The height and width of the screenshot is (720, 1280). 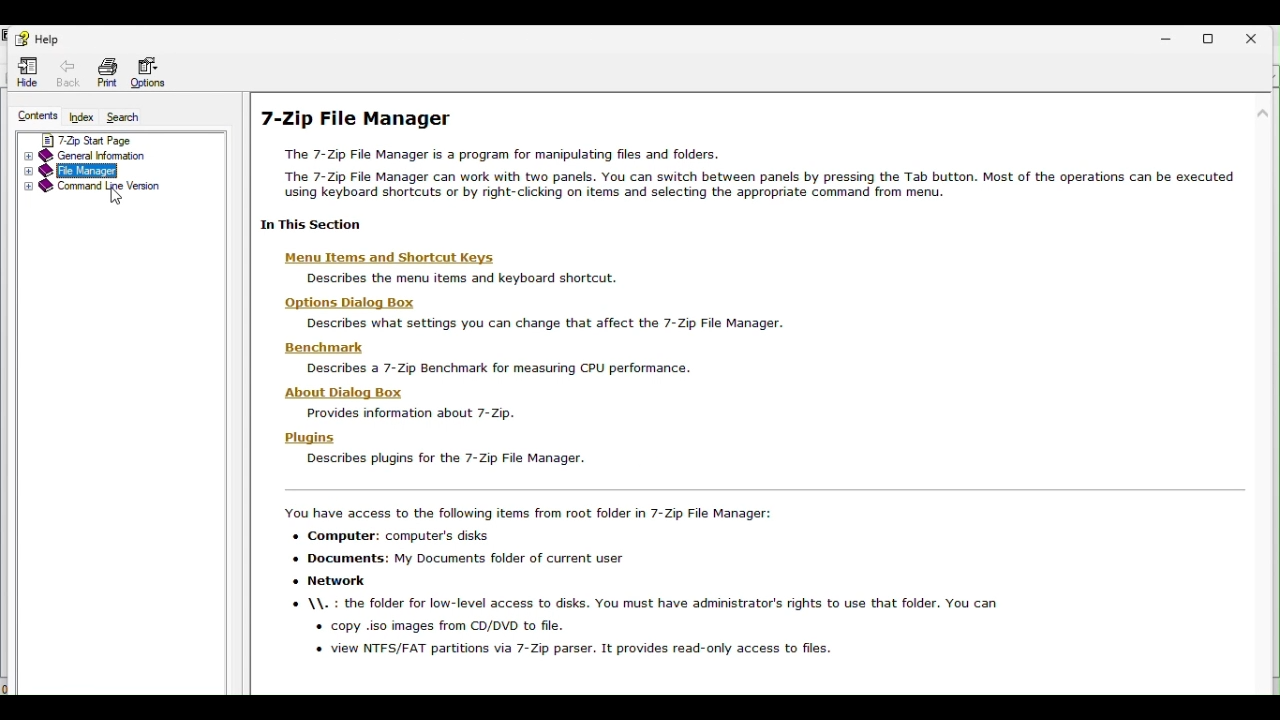 I want to click on Search, so click(x=135, y=118).